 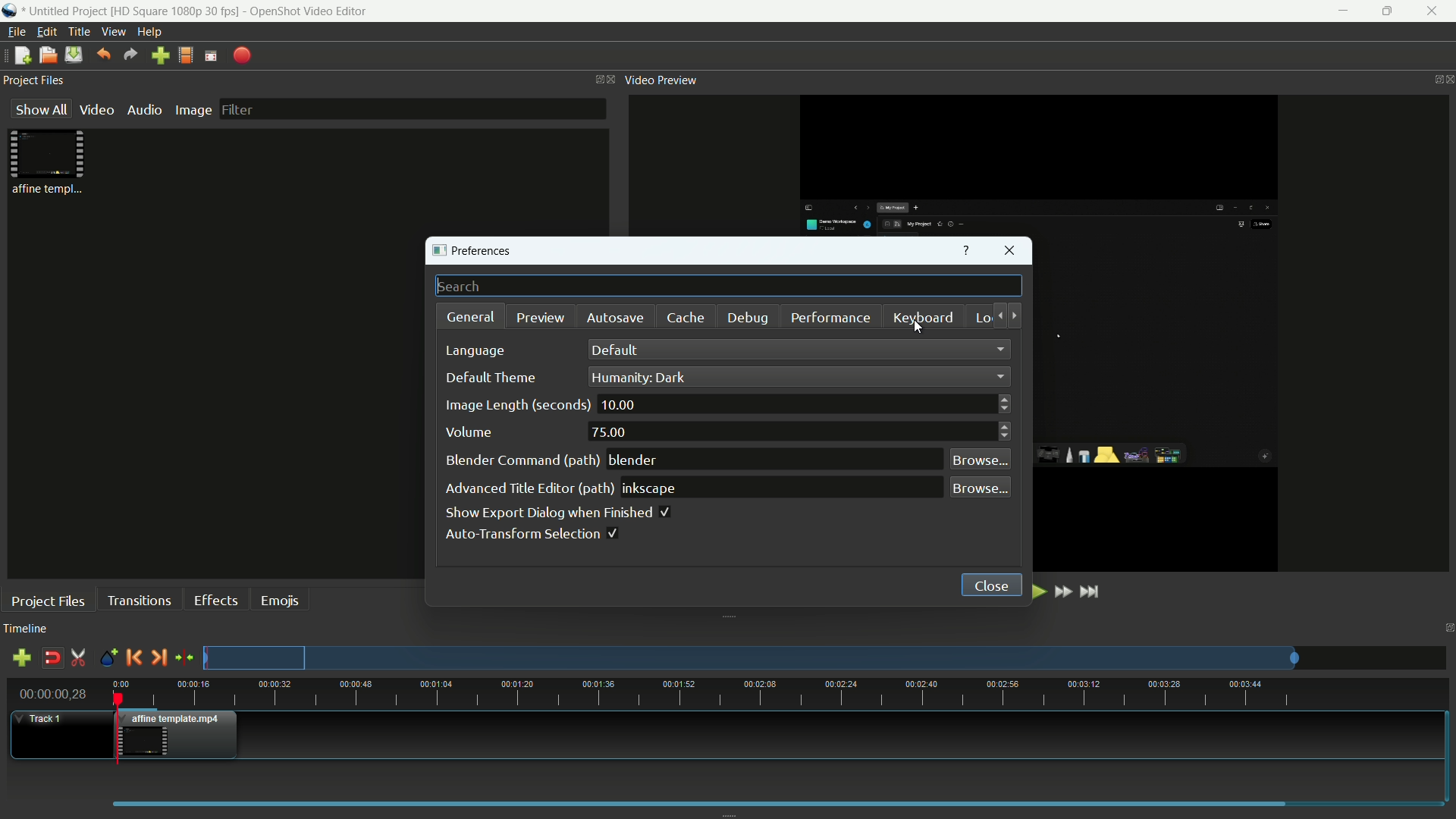 What do you see at coordinates (177, 11) in the screenshot?
I see `profile` at bounding box center [177, 11].